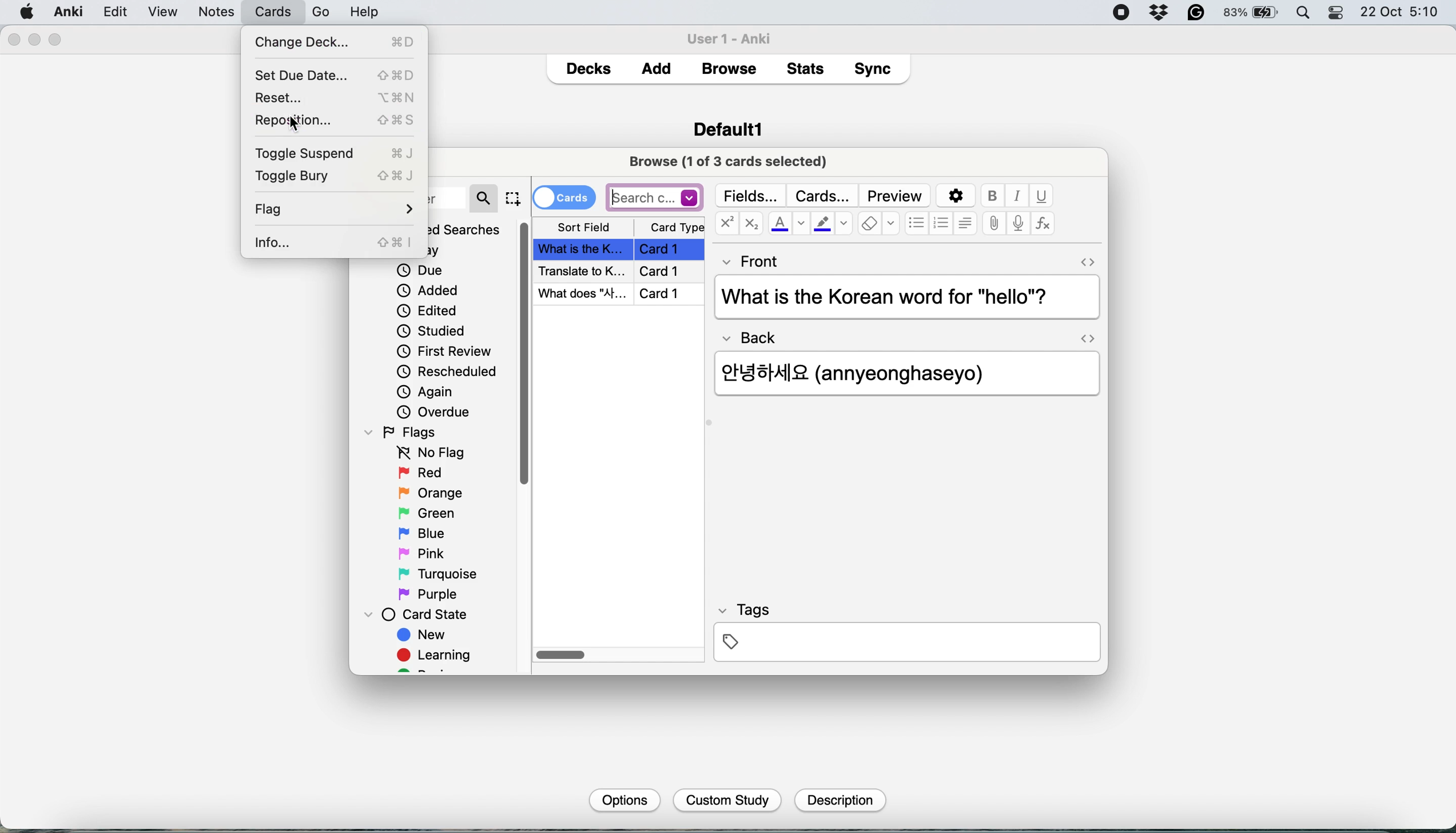  I want to click on Decks, so click(588, 66).